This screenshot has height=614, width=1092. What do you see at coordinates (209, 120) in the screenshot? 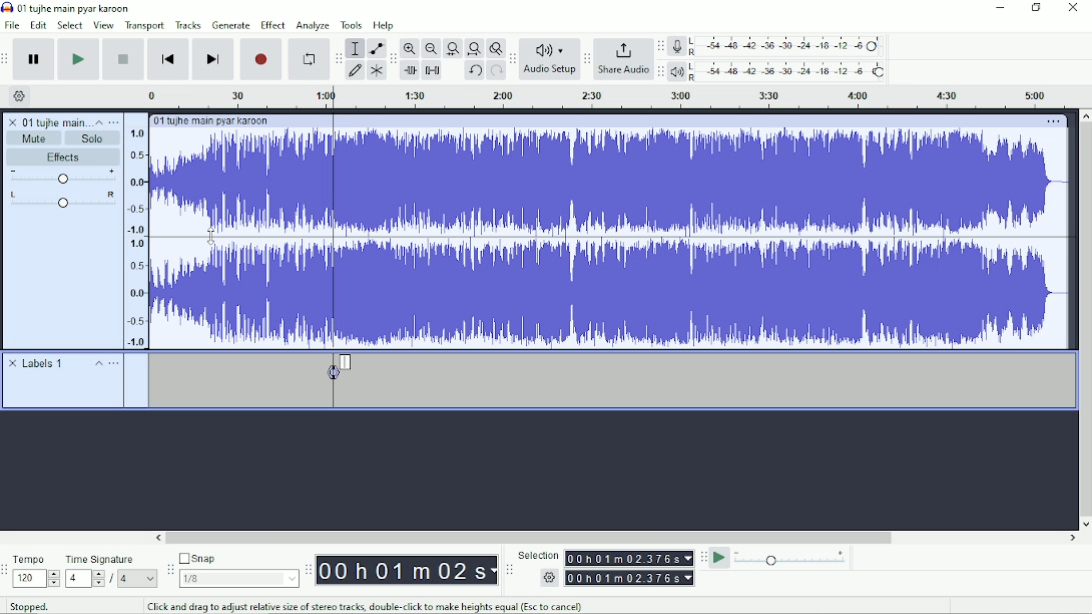
I see `Track title` at bounding box center [209, 120].